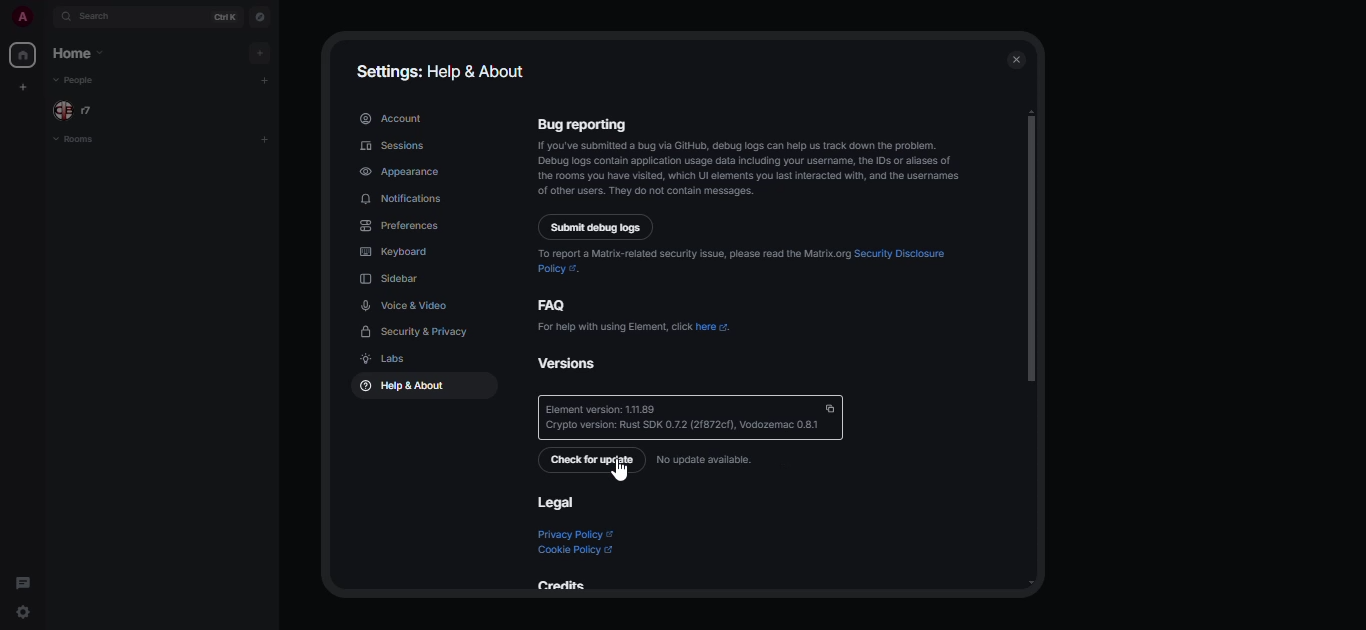 This screenshot has height=630, width=1366. Describe the element at coordinates (579, 362) in the screenshot. I see `versions` at that location.